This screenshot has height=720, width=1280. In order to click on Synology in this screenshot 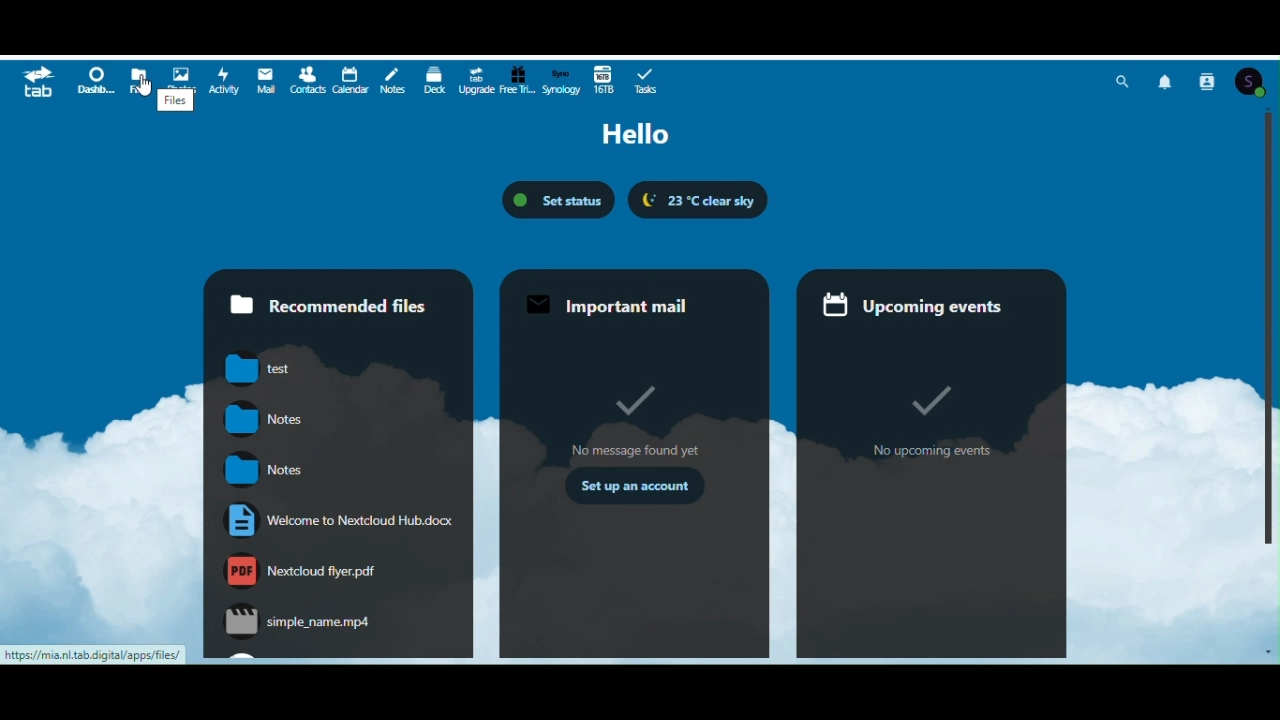, I will do `click(559, 80)`.